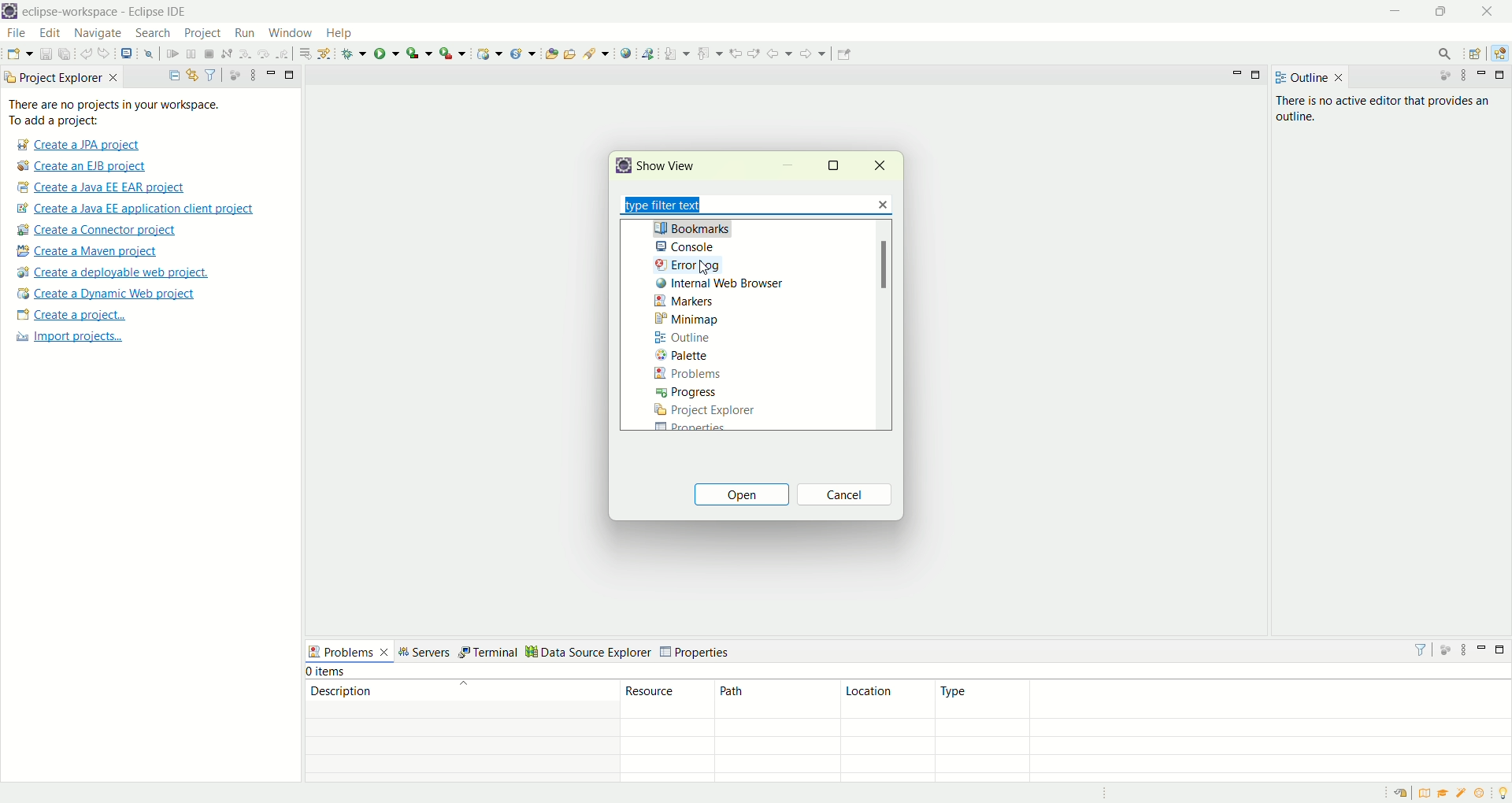 The width and height of the screenshot is (1512, 803). I want to click on terminate, so click(209, 53).